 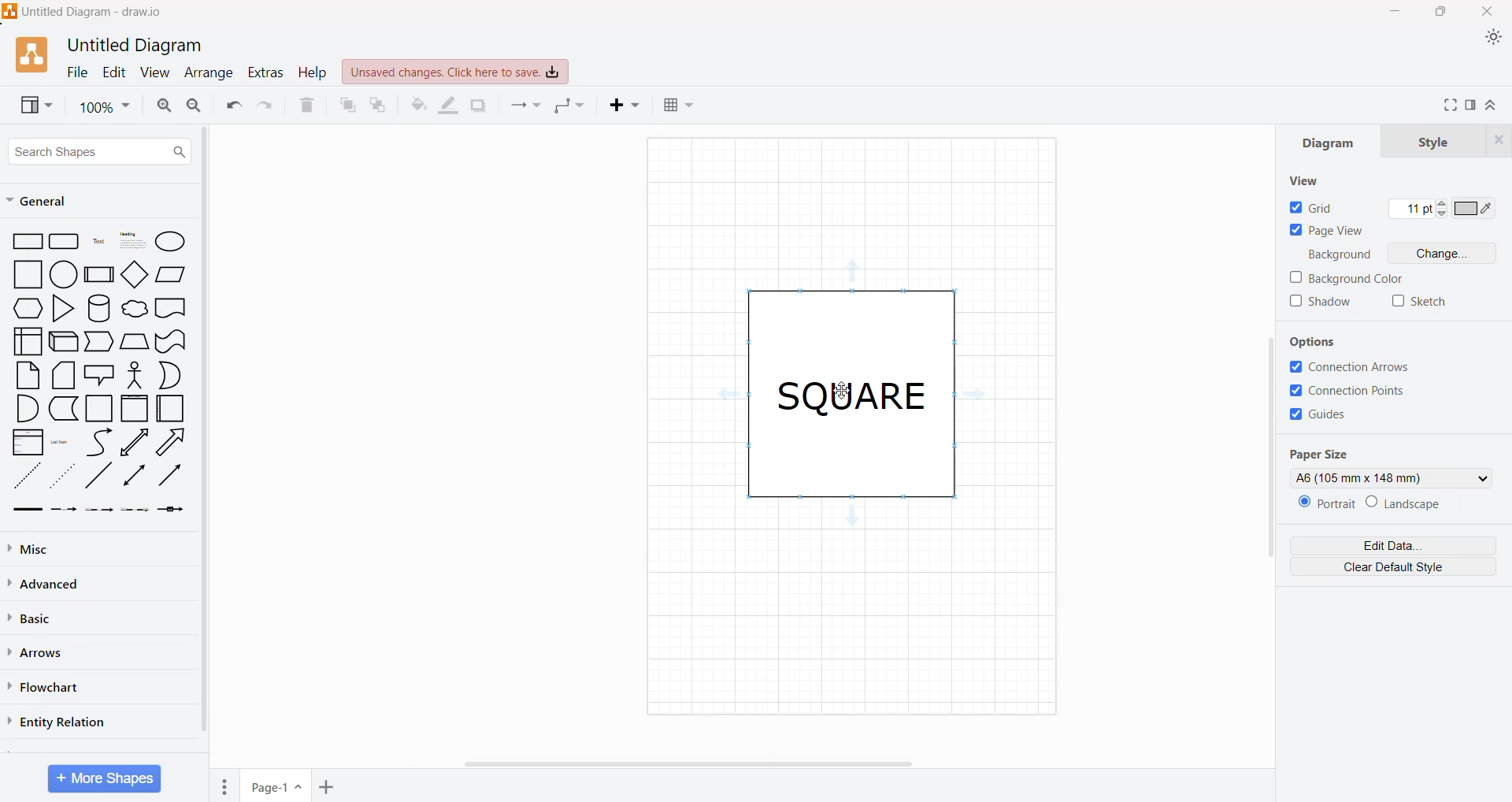 What do you see at coordinates (33, 55) in the screenshot?
I see `Application Logo` at bounding box center [33, 55].